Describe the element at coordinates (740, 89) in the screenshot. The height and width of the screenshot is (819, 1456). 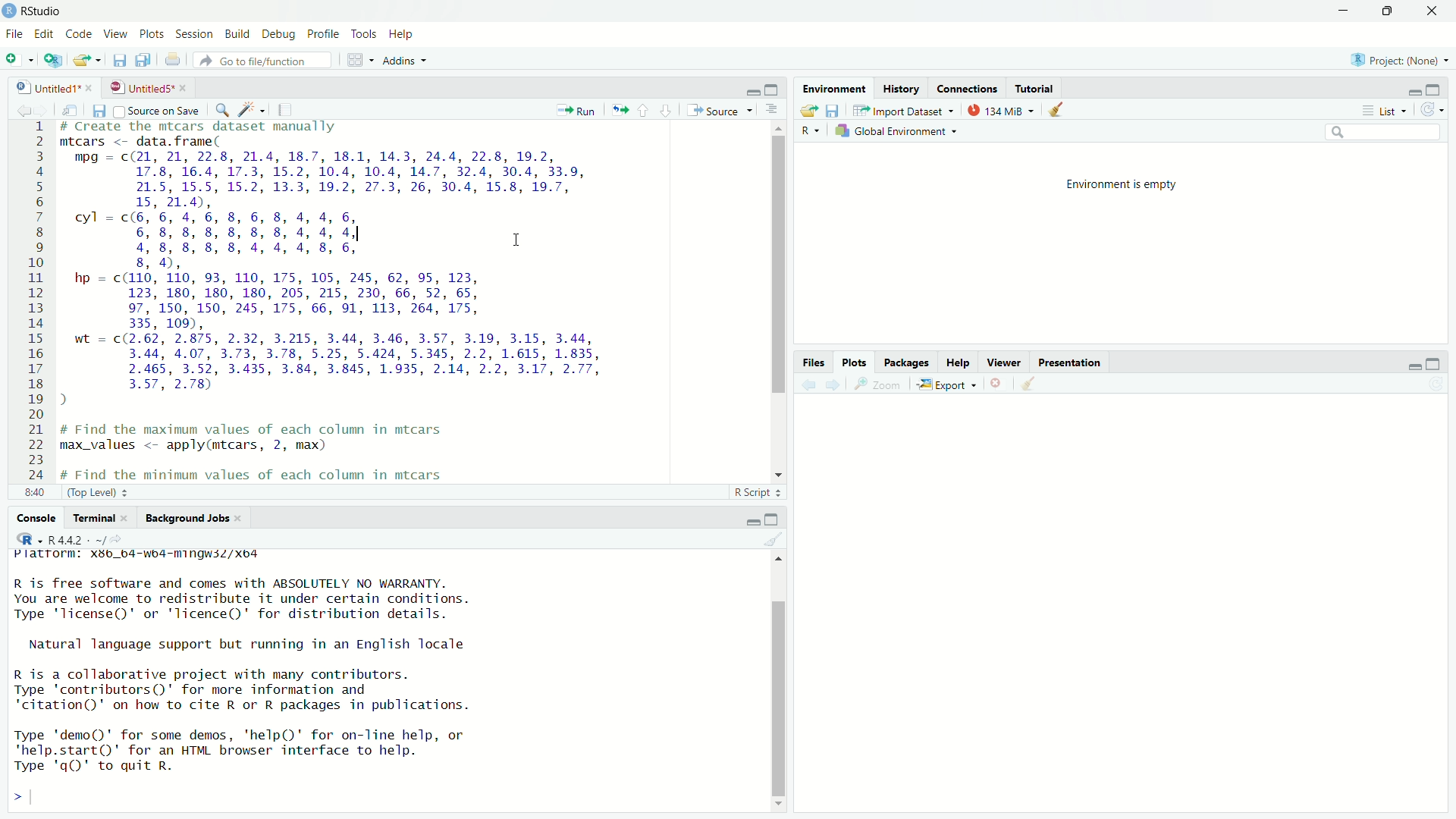
I see `minimise` at that location.